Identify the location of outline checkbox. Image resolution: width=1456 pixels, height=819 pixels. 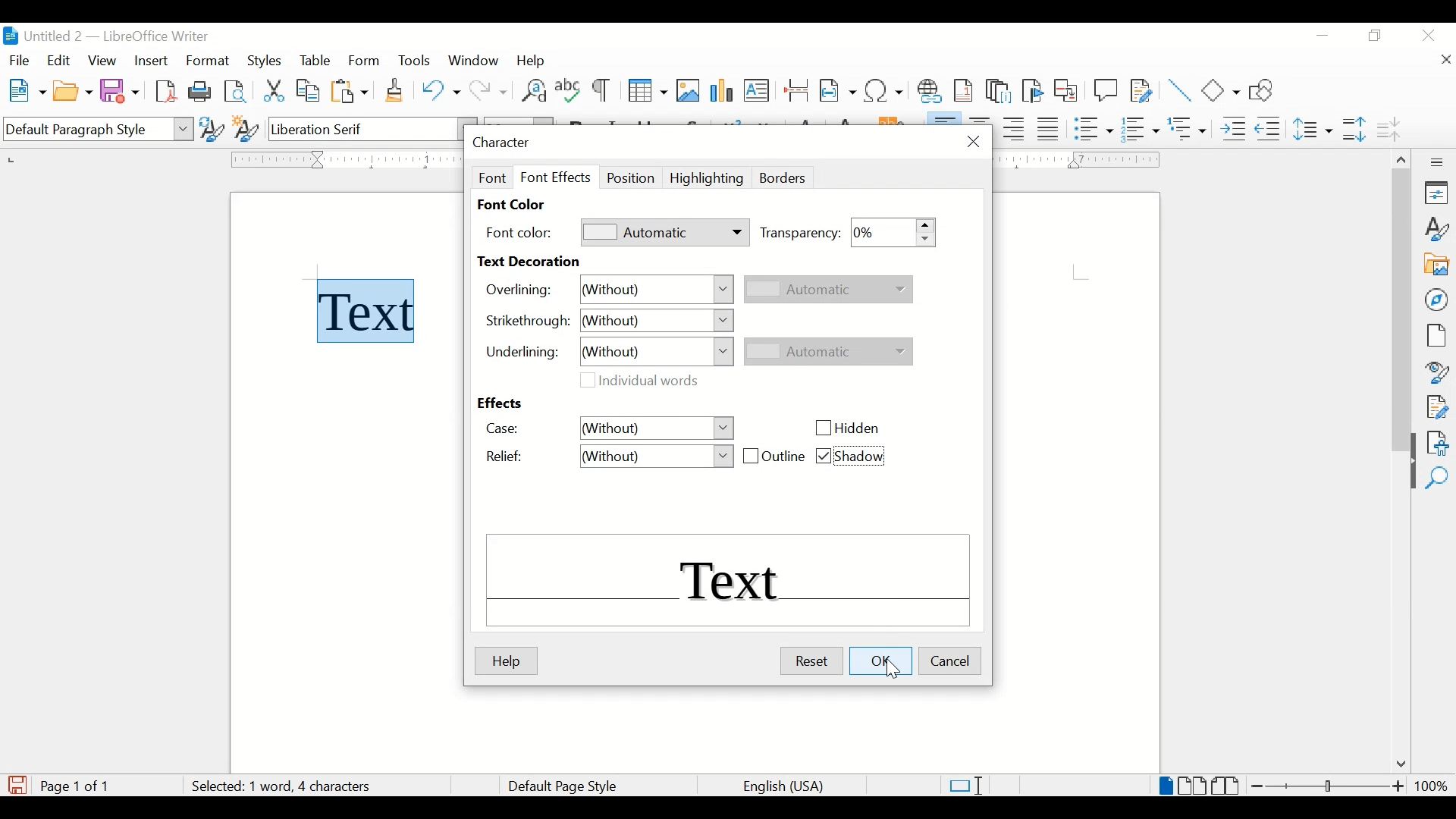
(777, 457).